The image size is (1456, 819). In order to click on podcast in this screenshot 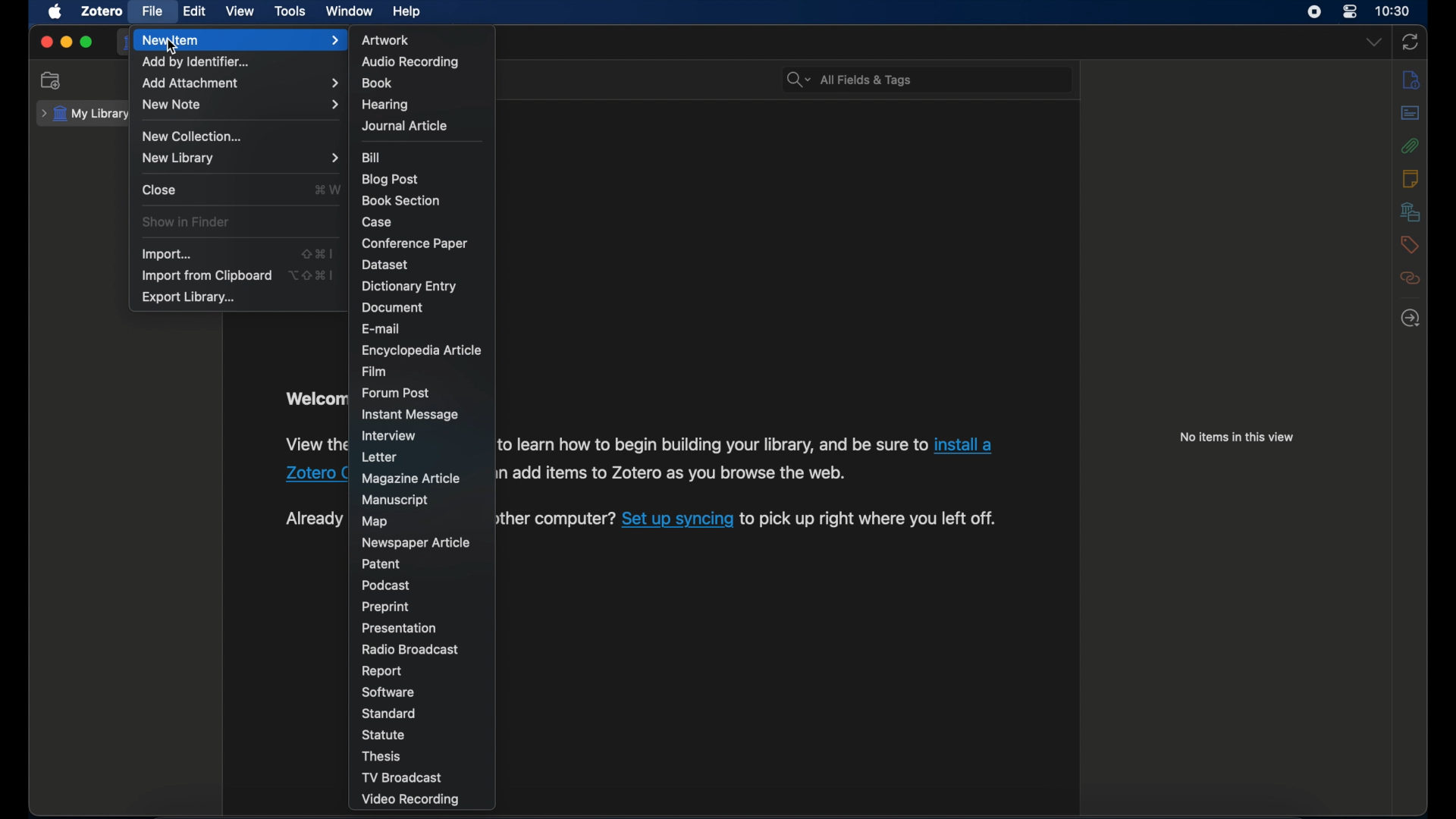, I will do `click(387, 585)`.